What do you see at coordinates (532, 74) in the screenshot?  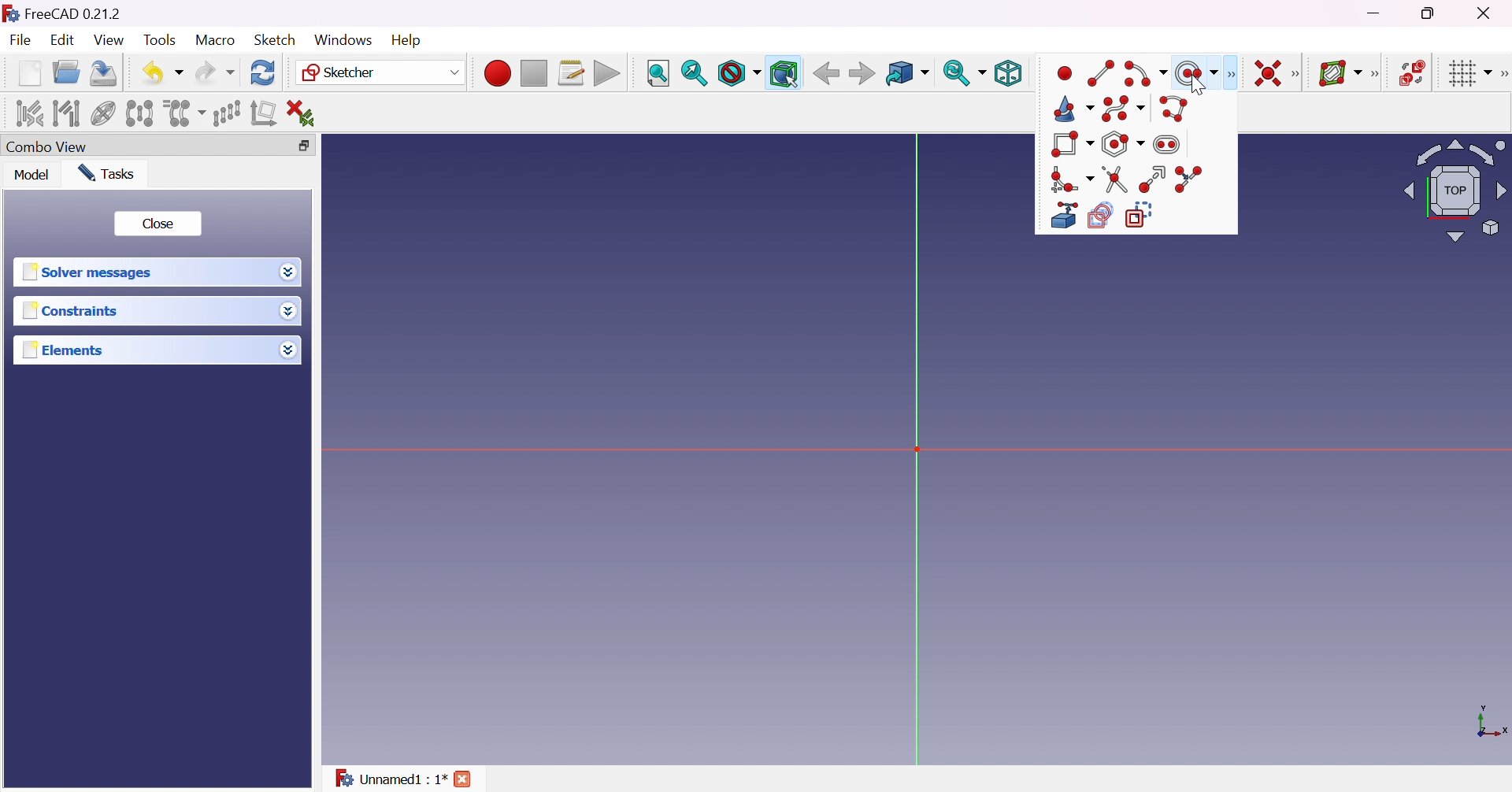 I see `Stop macro recording` at bounding box center [532, 74].